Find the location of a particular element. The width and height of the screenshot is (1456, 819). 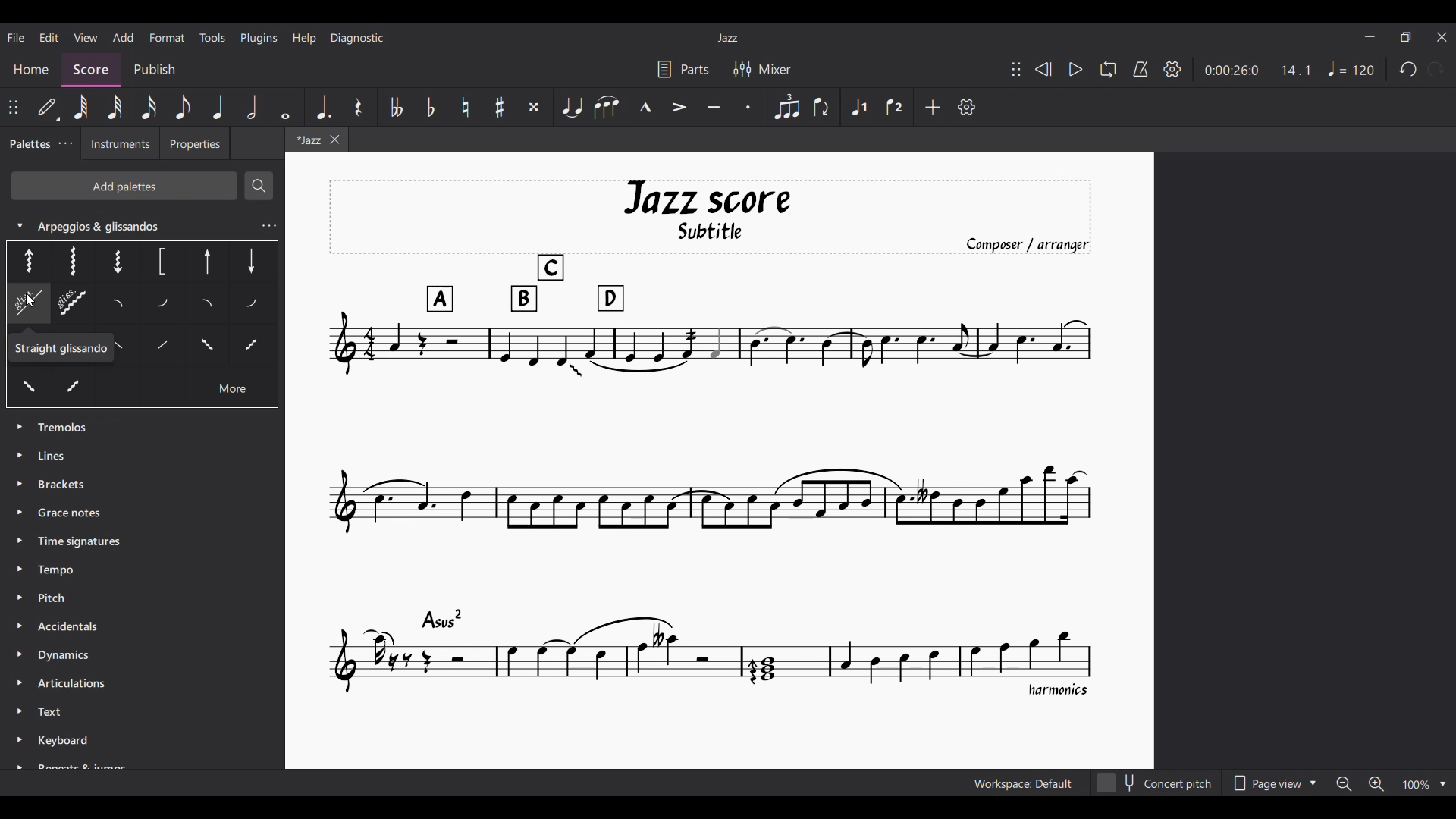

Dynamics is located at coordinates (69, 657).